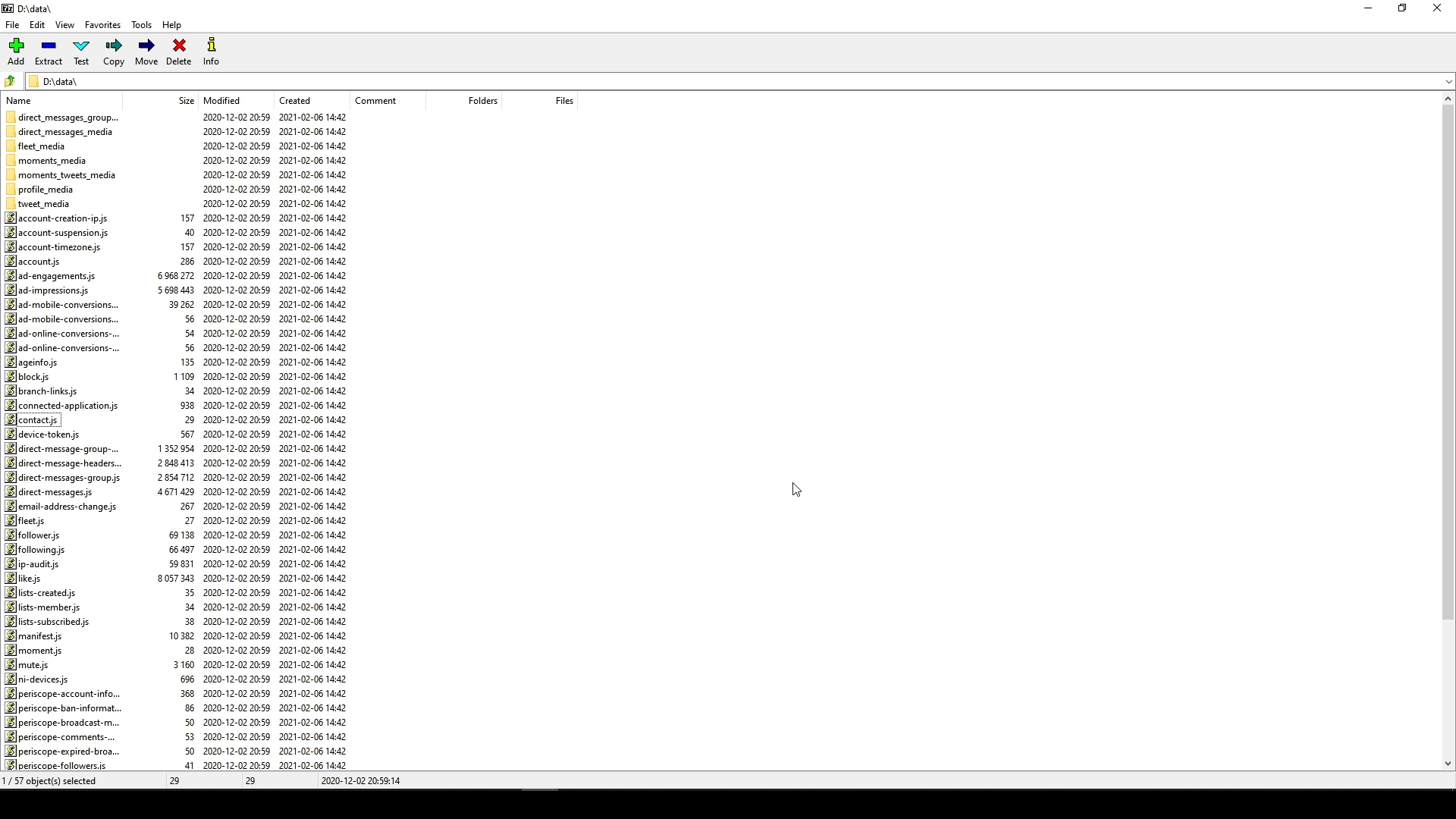 The image size is (1456, 819). Describe the element at coordinates (40, 678) in the screenshot. I see `ni-devices.js` at that location.